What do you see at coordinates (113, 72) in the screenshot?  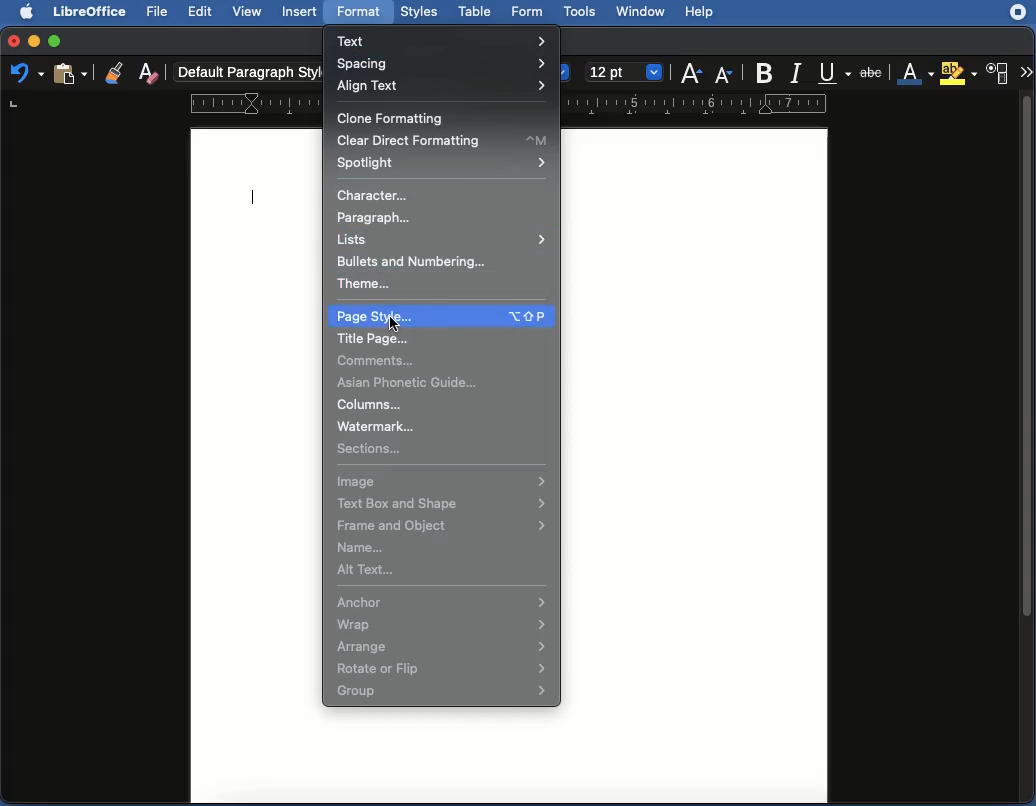 I see `Clone formatting` at bounding box center [113, 72].